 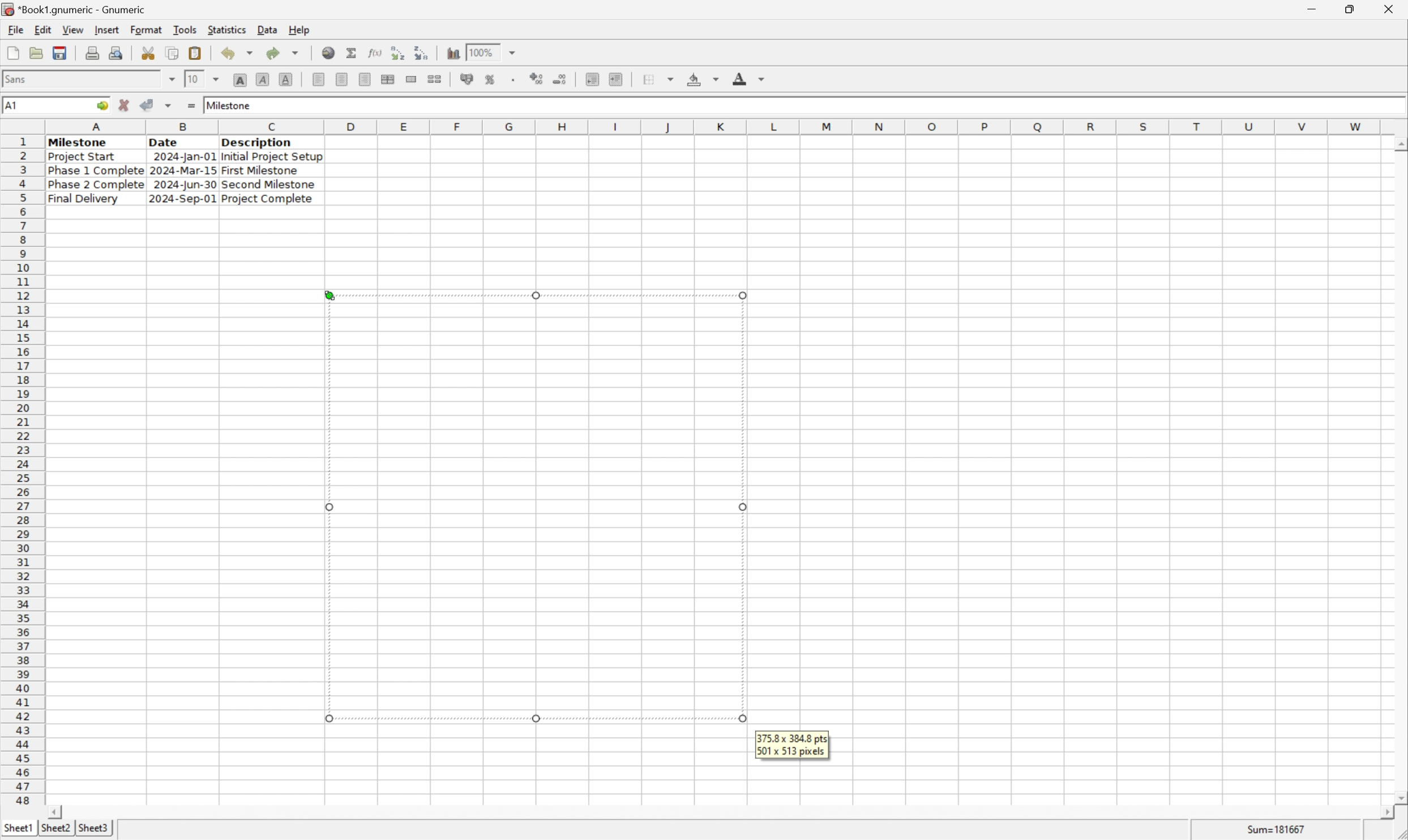 What do you see at coordinates (341, 80) in the screenshot?
I see `center horizontally` at bounding box center [341, 80].